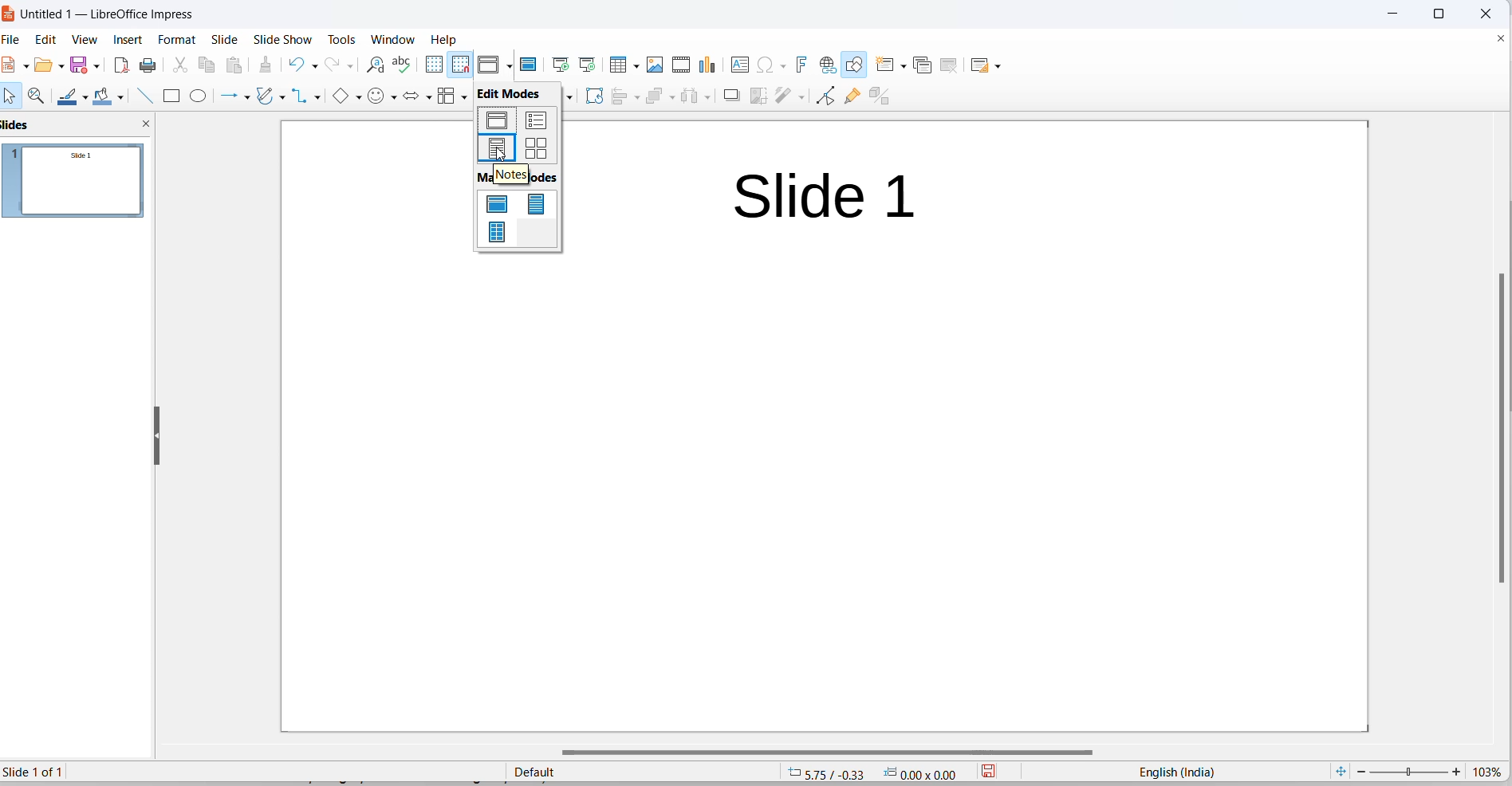 Image resolution: width=1512 pixels, height=786 pixels. Describe the element at coordinates (1360, 771) in the screenshot. I see `decrease zoom` at that location.